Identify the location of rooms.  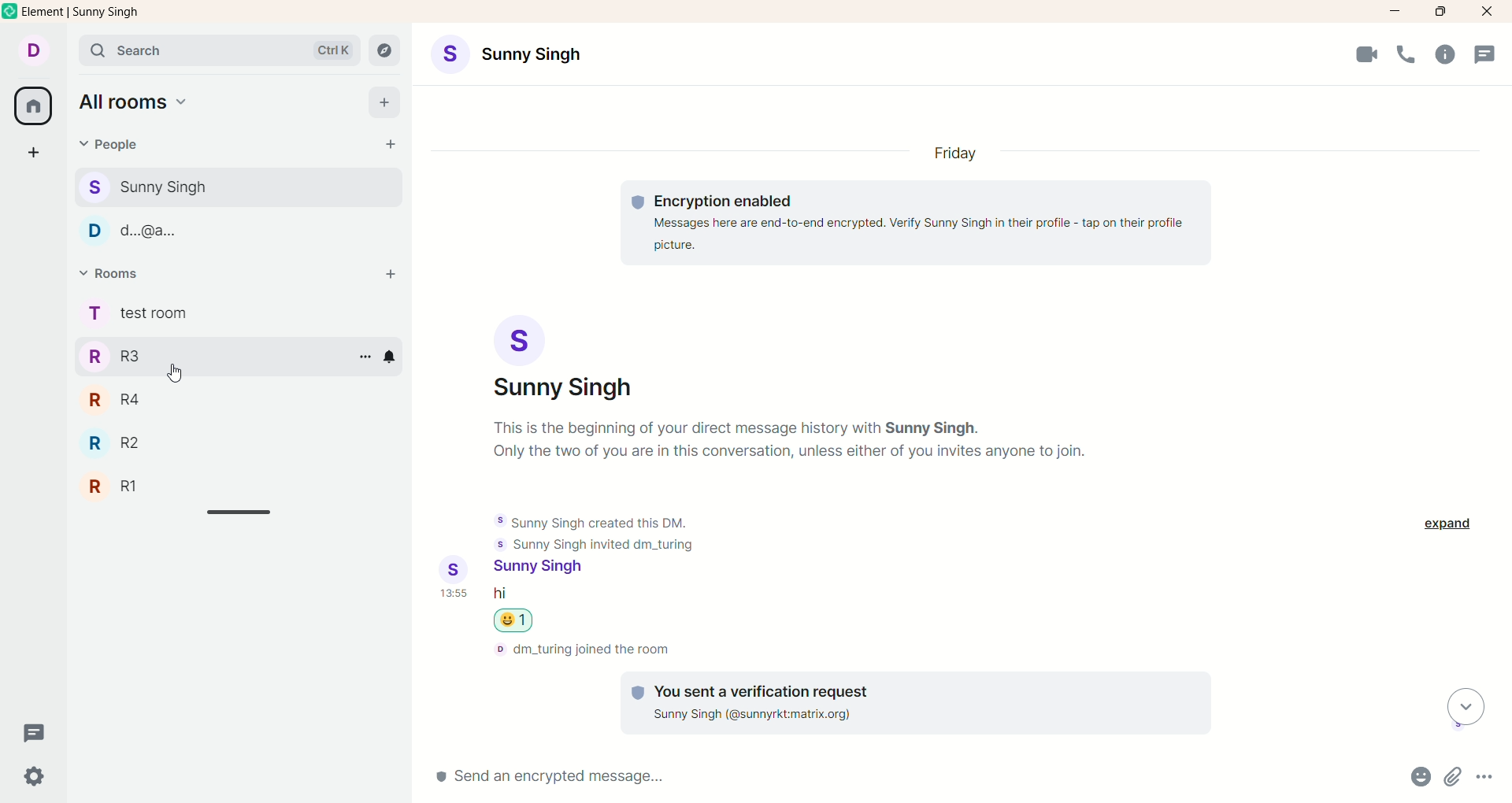
(112, 276).